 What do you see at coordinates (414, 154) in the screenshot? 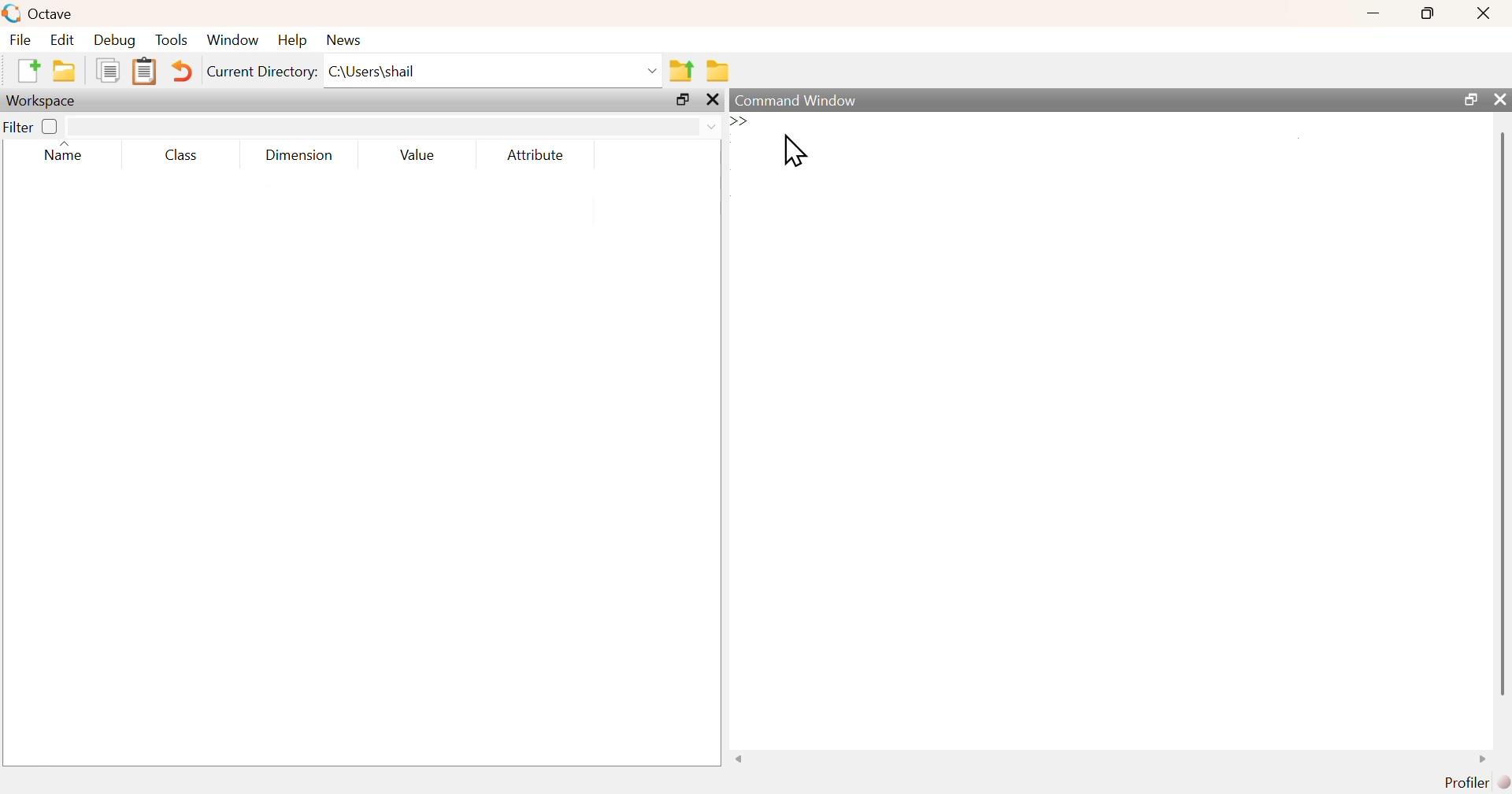
I see `Value` at bounding box center [414, 154].